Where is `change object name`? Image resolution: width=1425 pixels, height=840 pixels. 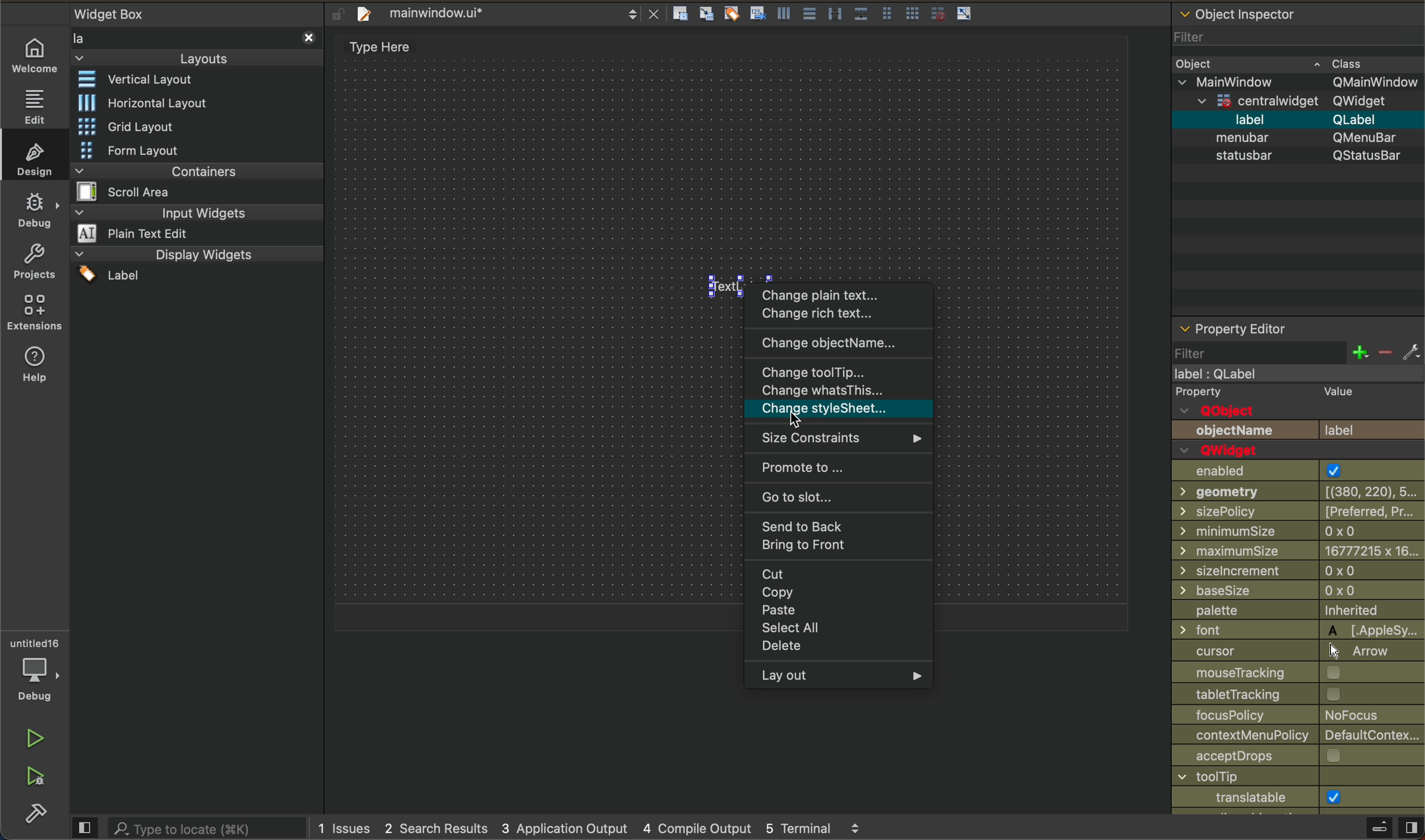 change object name is located at coordinates (839, 345).